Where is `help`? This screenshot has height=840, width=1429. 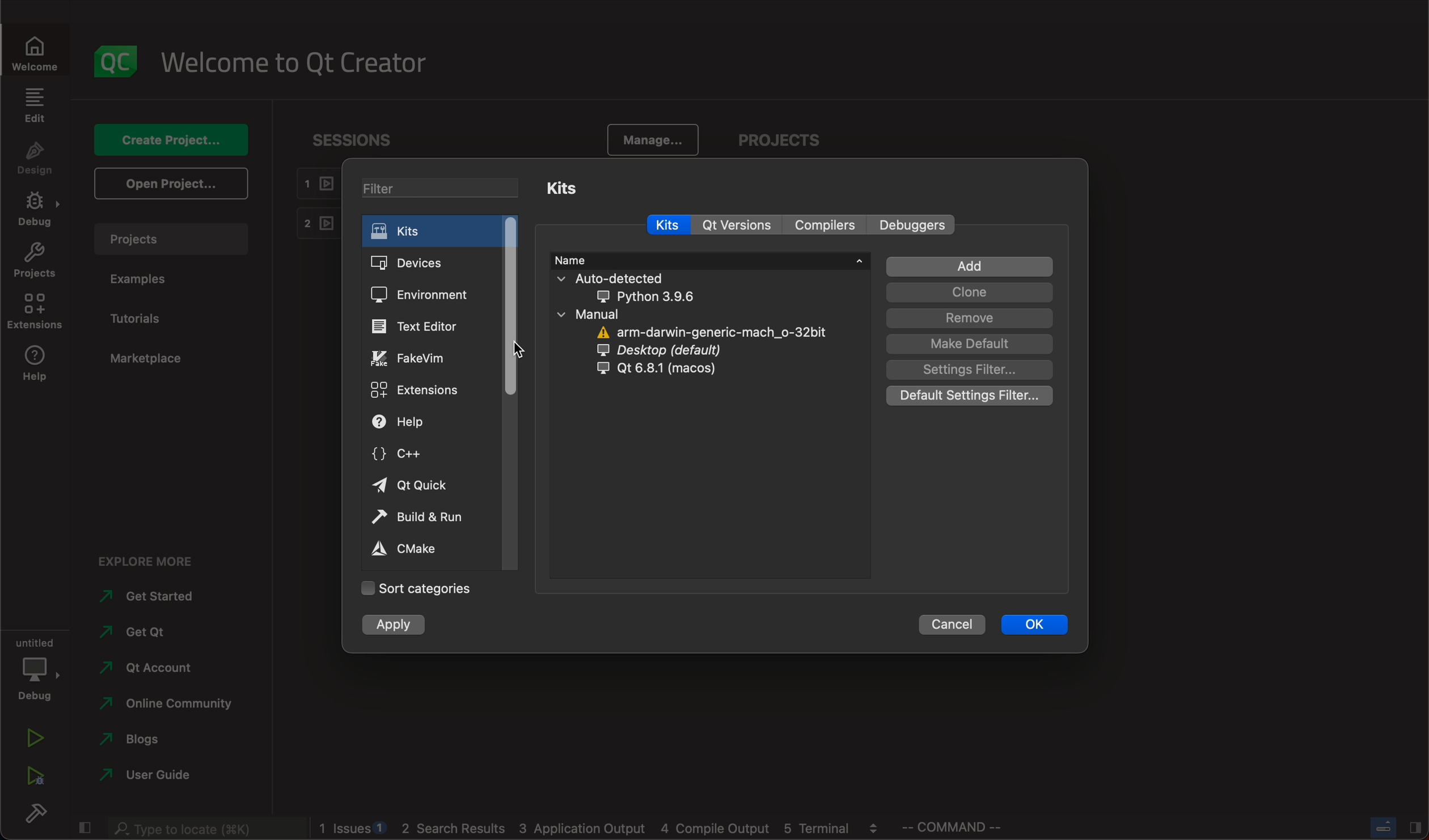
help is located at coordinates (33, 363).